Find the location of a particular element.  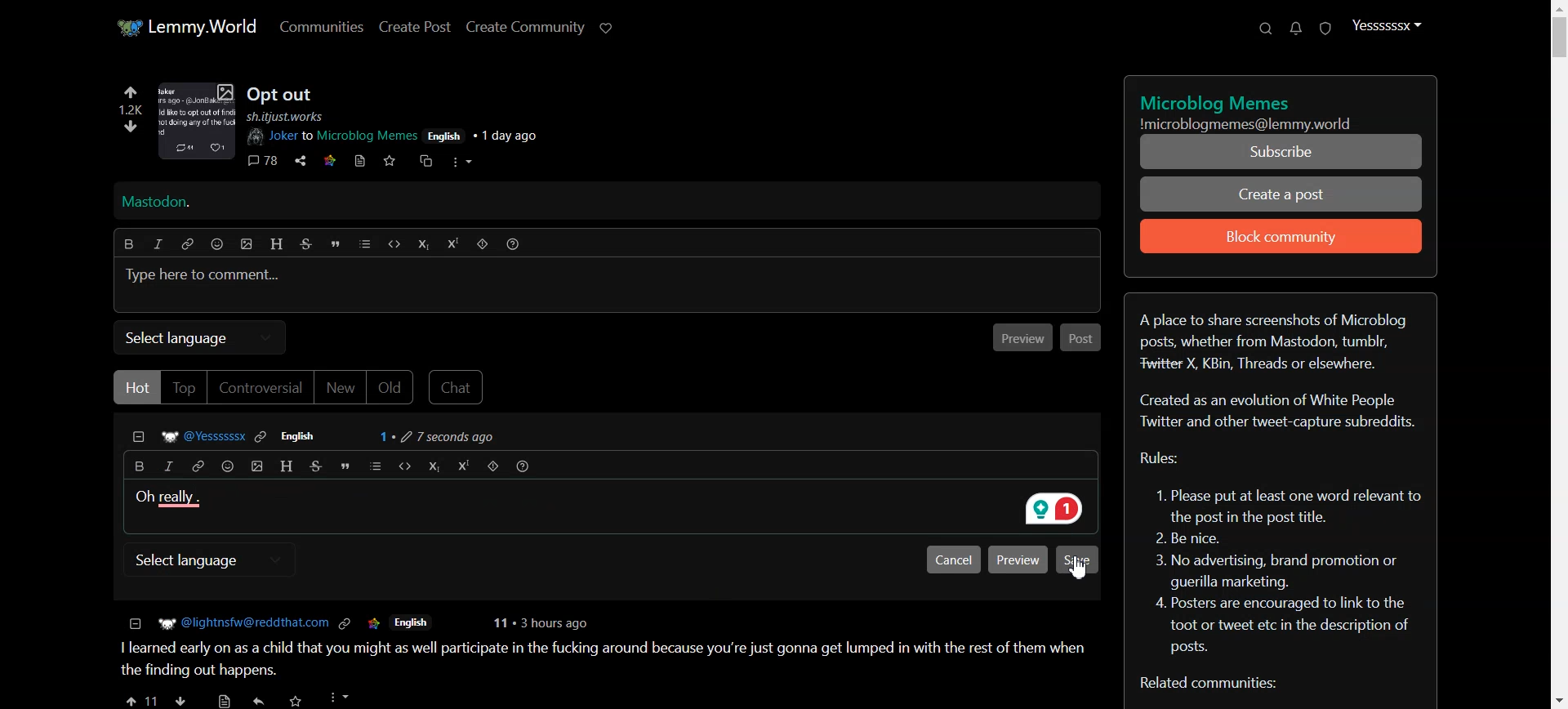

Bold  is located at coordinates (130, 243).